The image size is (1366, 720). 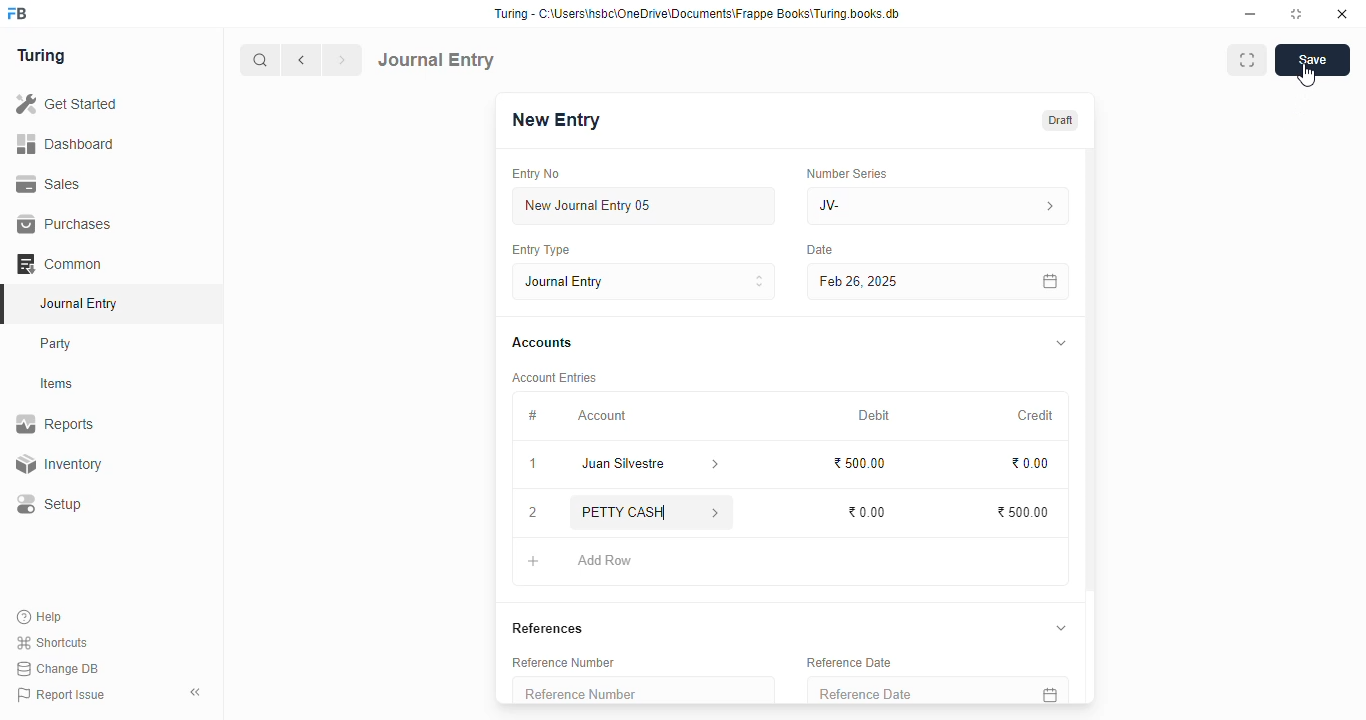 What do you see at coordinates (846, 173) in the screenshot?
I see `number series` at bounding box center [846, 173].